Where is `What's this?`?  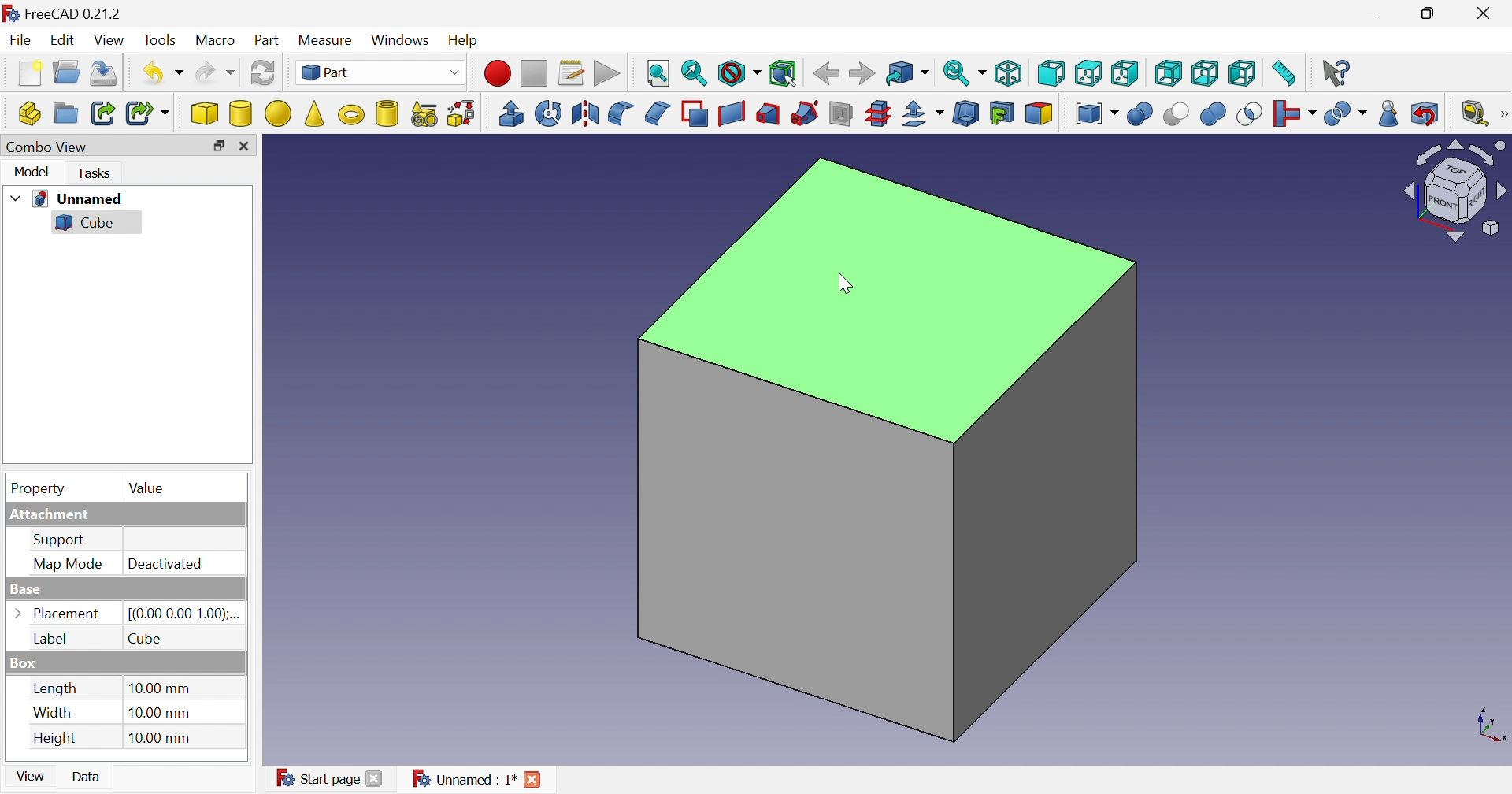 What's this? is located at coordinates (1338, 75).